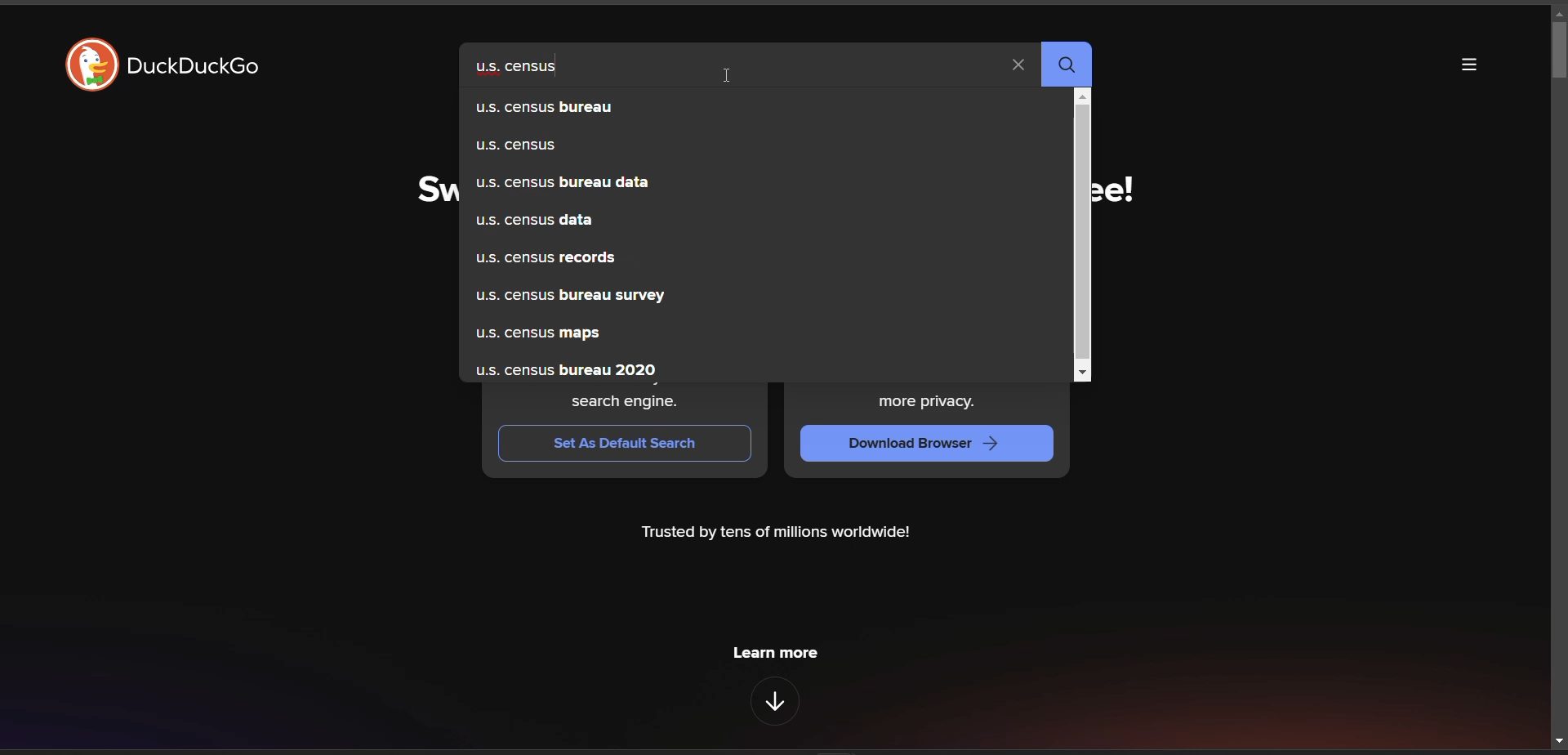 The width and height of the screenshot is (1568, 755). What do you see at coordinates (733, 65) in the screenshot?
I see `search bar ` at bounding box center [733, 65].